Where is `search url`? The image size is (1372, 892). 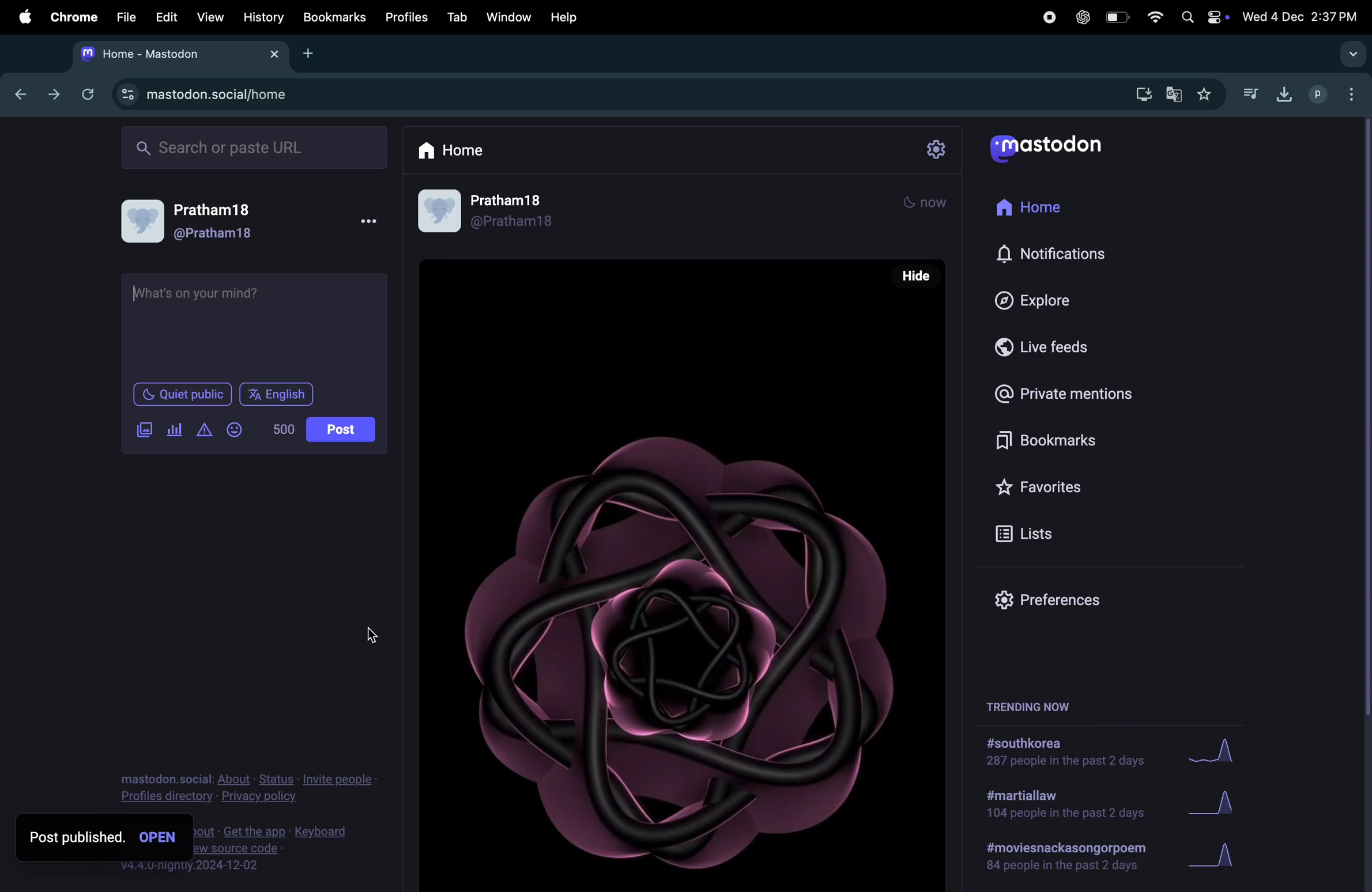 search url is located at coordinates (256, 145).